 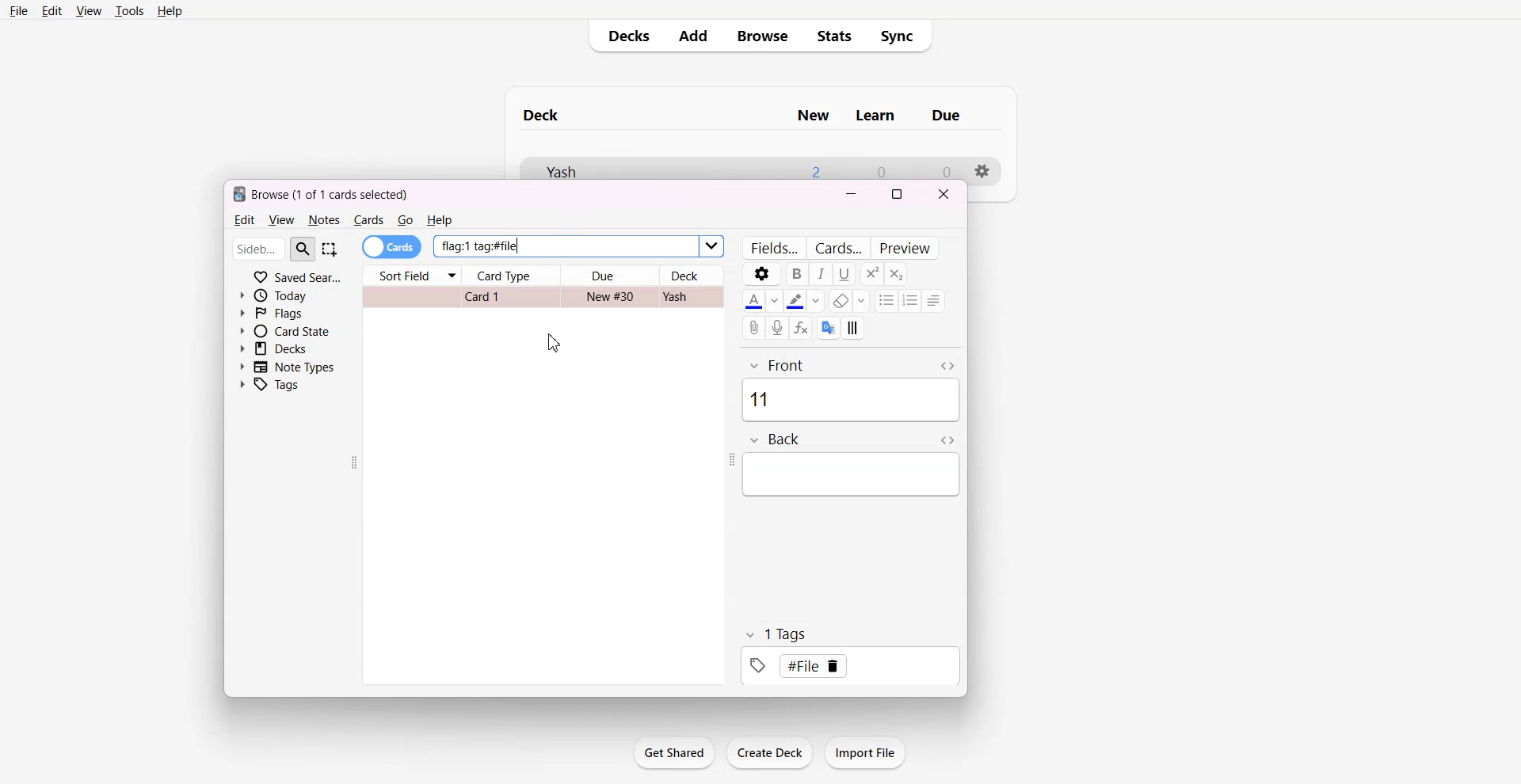 I want to click on 11, so click(x=850, y=401).